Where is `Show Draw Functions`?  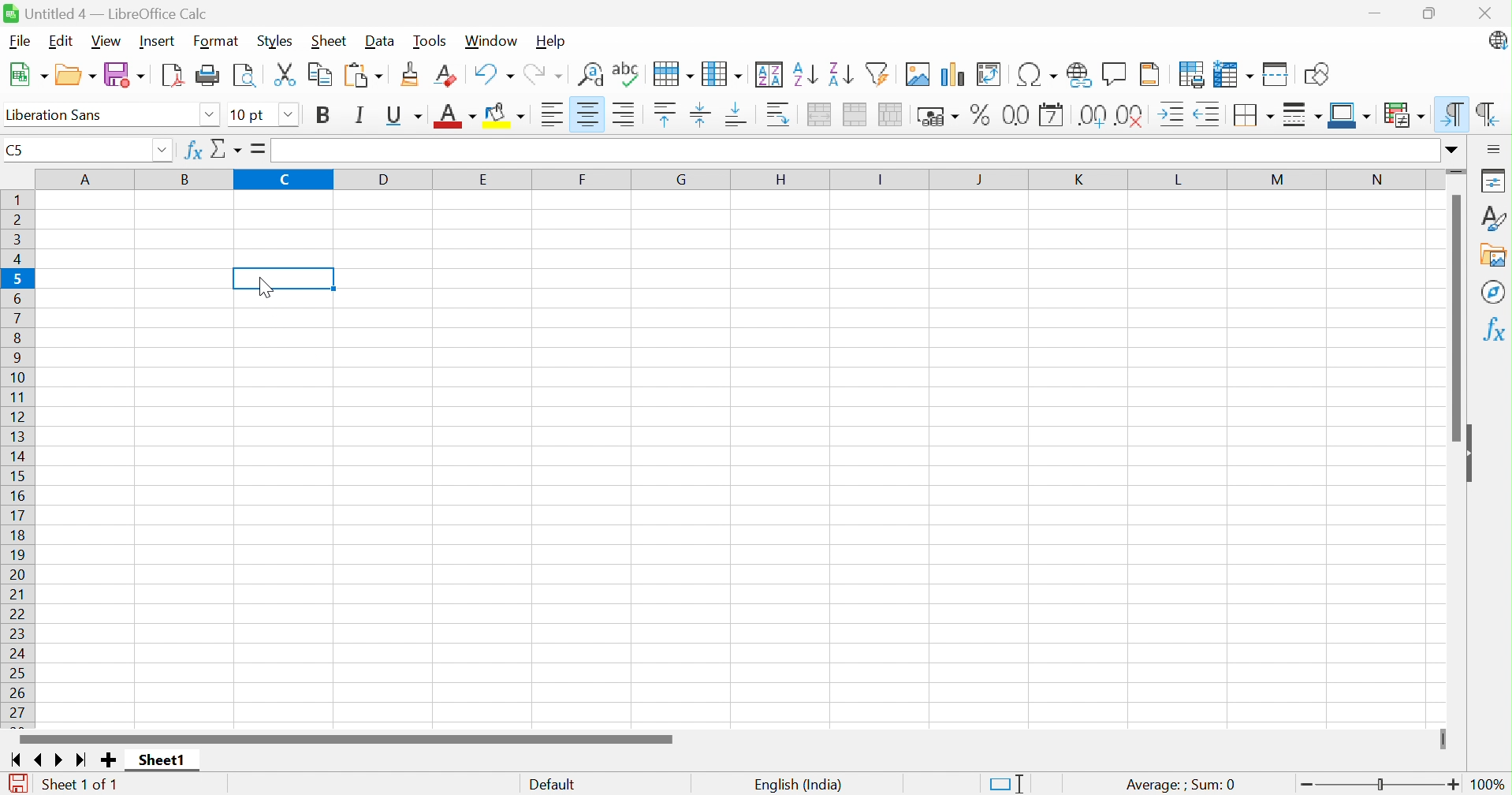 Show Draw Functions is located at coordinates (1315, 73).